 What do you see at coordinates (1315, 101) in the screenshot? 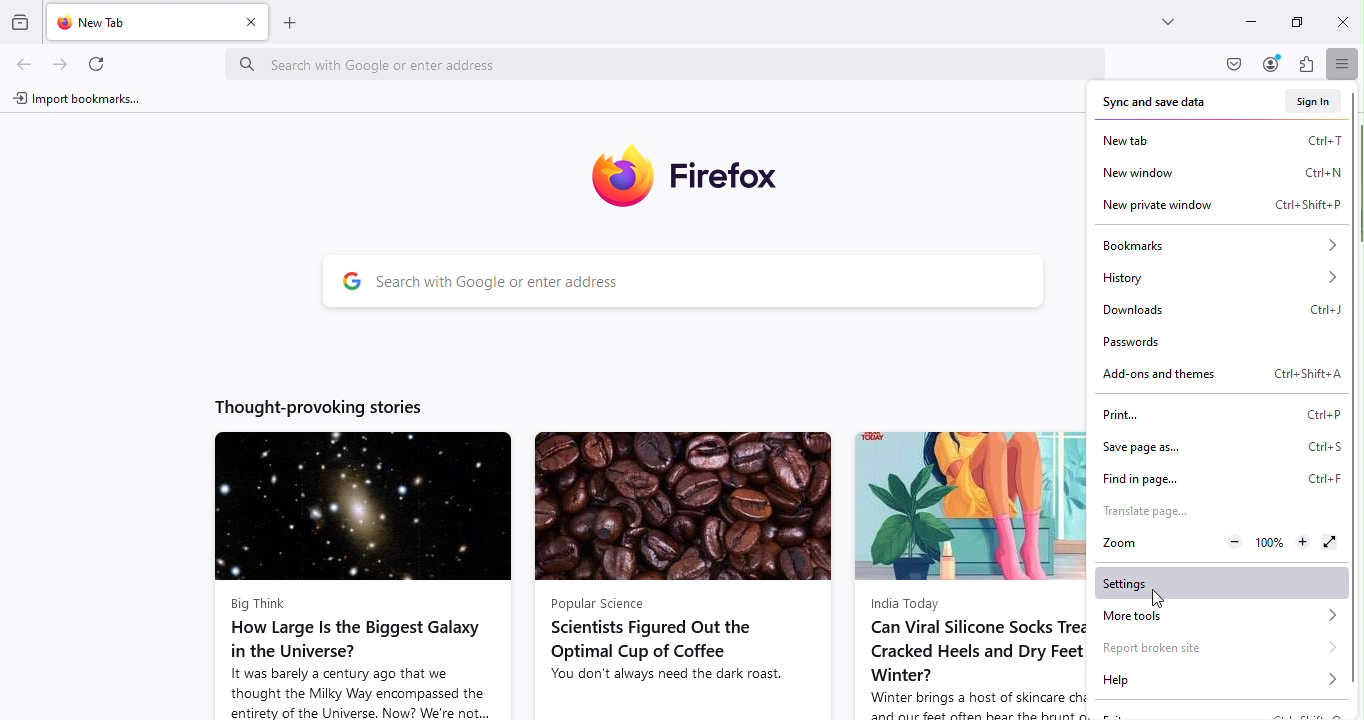
I see `Sign in` at bounding box center [1315, 101].